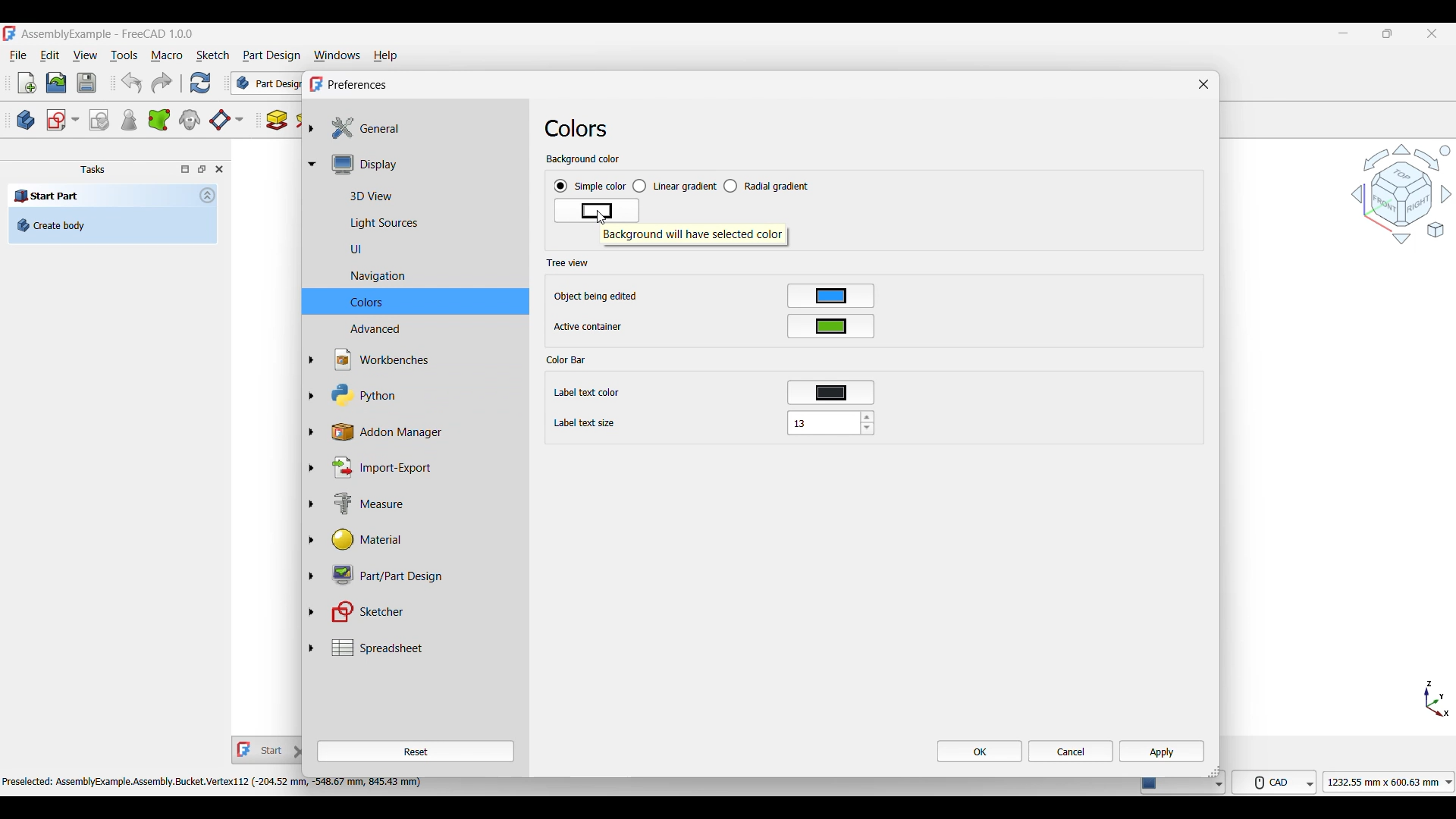  Describe the element at coordinates (423, 194) in the screenshot. I see `3D View` at that location.